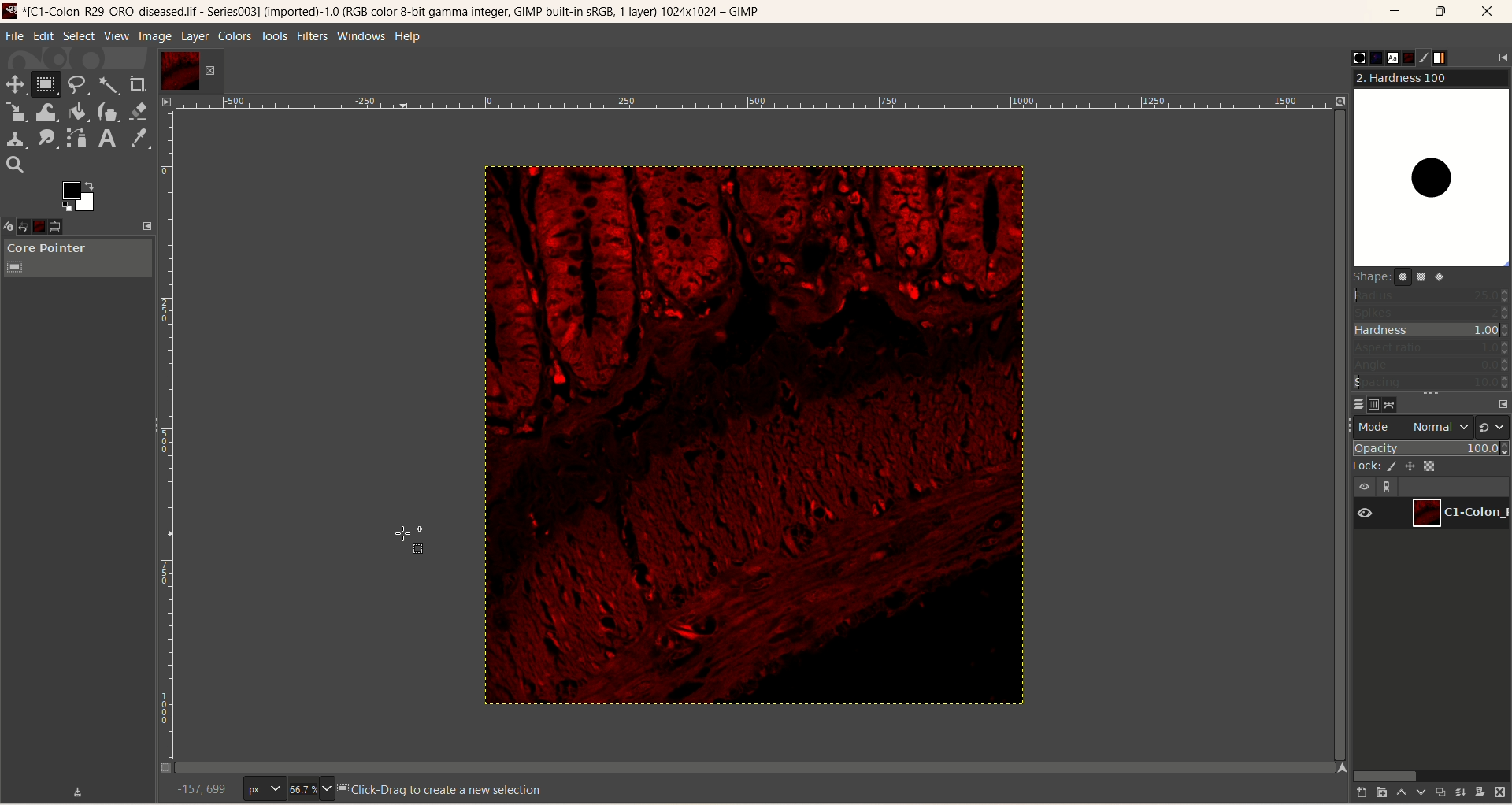  Describe the element at coordinates (70, 228) in the screenshot. I see `tool option` at that location.